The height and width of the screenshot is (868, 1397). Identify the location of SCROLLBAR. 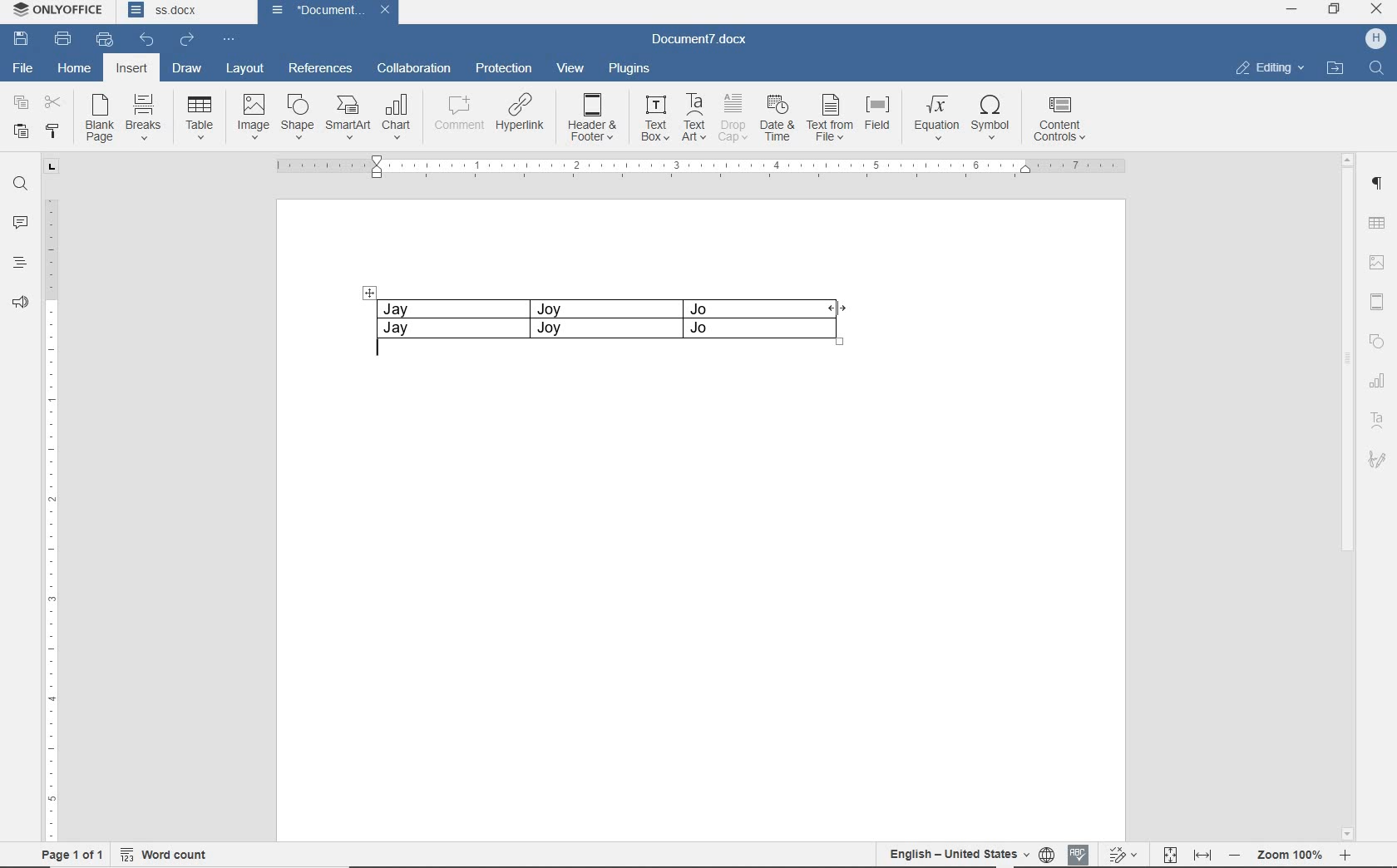
(1346, 496).